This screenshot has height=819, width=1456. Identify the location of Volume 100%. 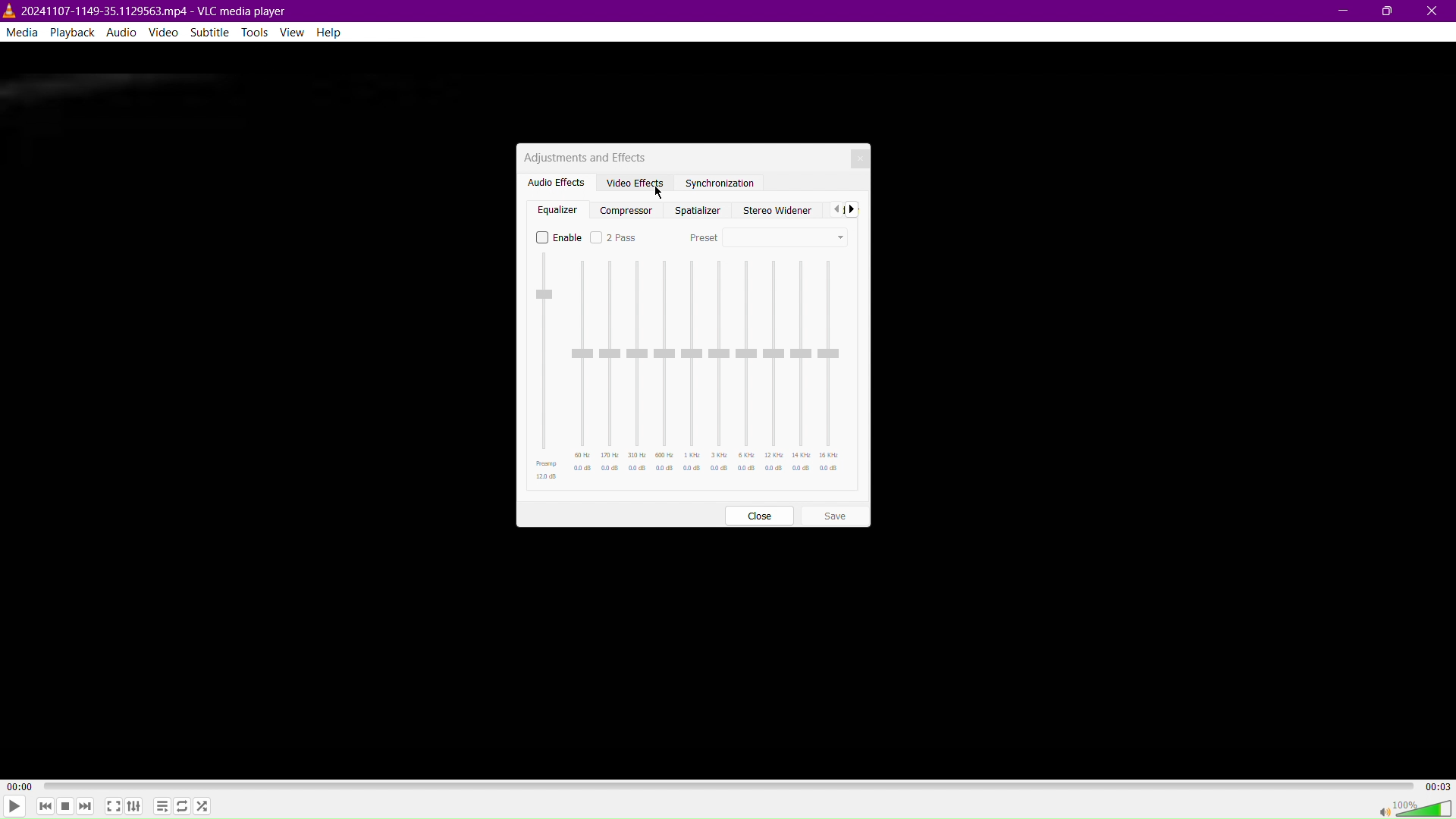
(1414, 808).